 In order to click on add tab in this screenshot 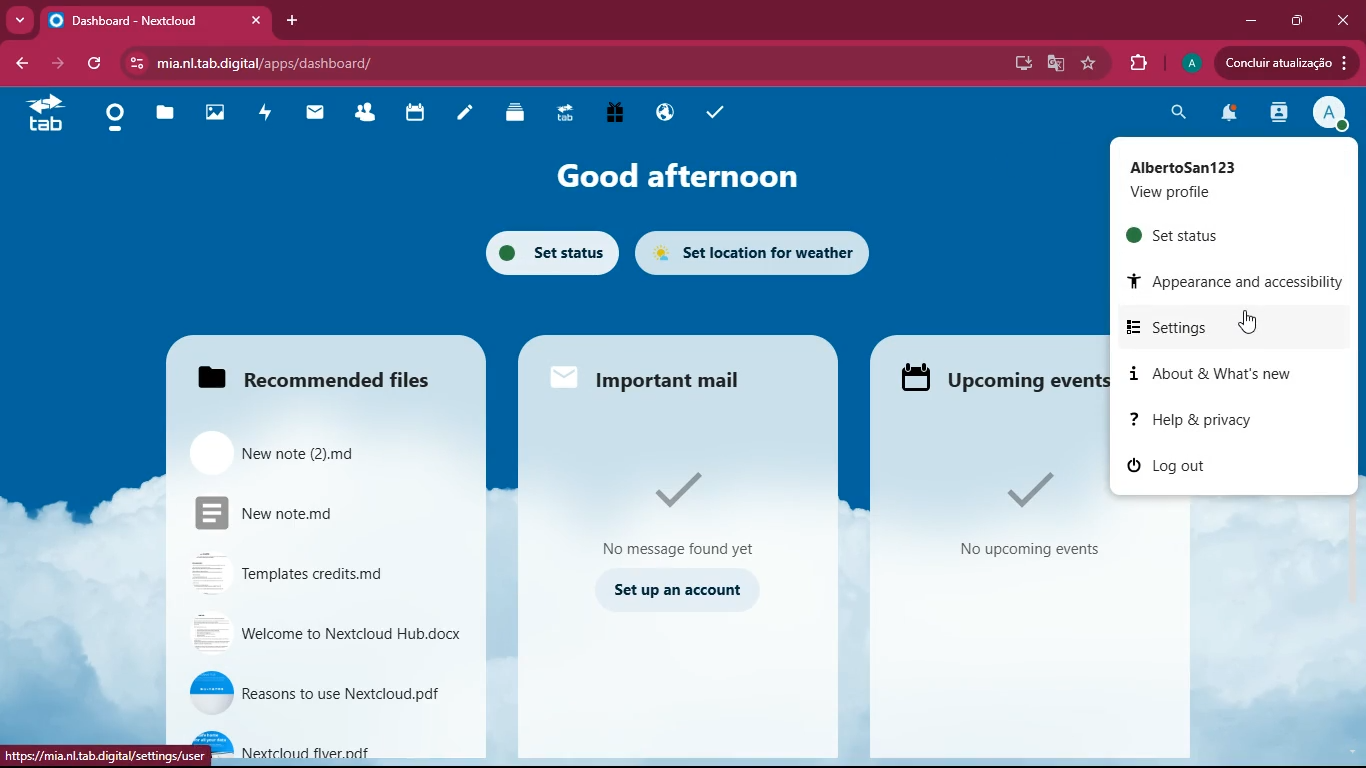, I will do `click(293, 18)`.